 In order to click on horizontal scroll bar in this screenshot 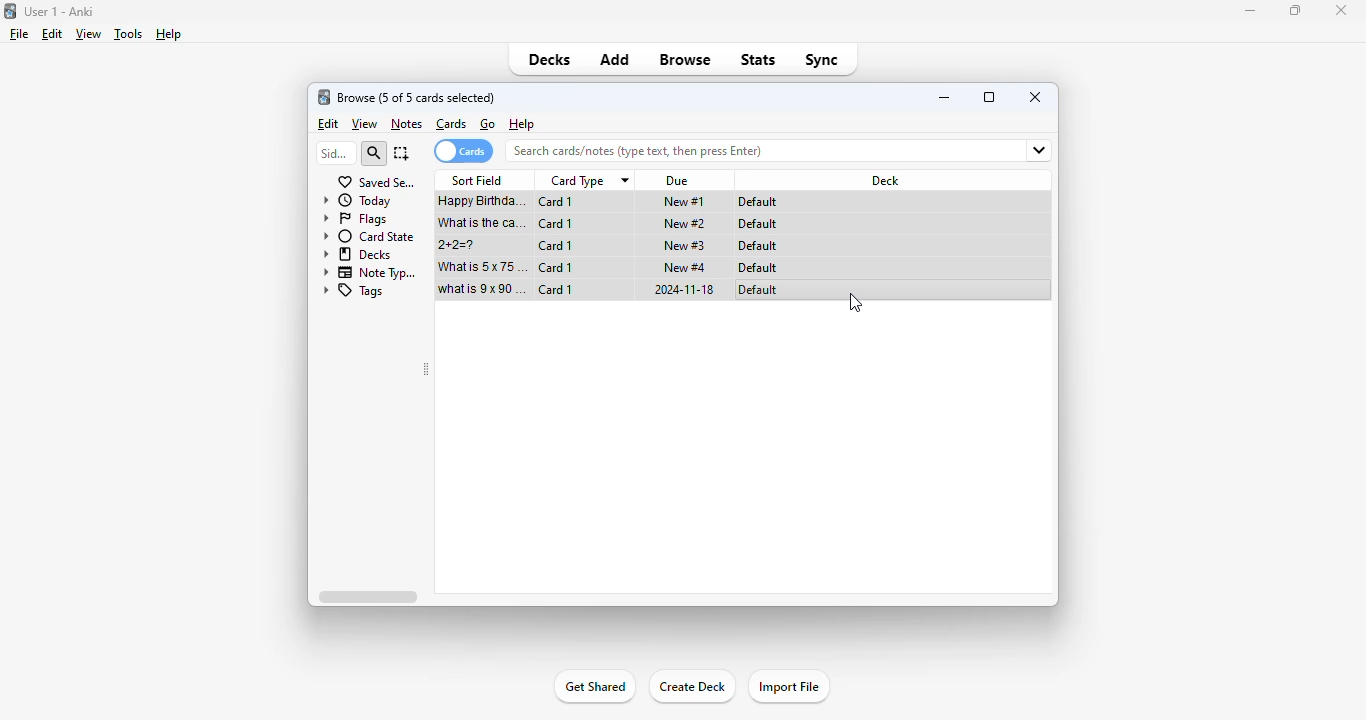, I will do `click(367, 596)`.